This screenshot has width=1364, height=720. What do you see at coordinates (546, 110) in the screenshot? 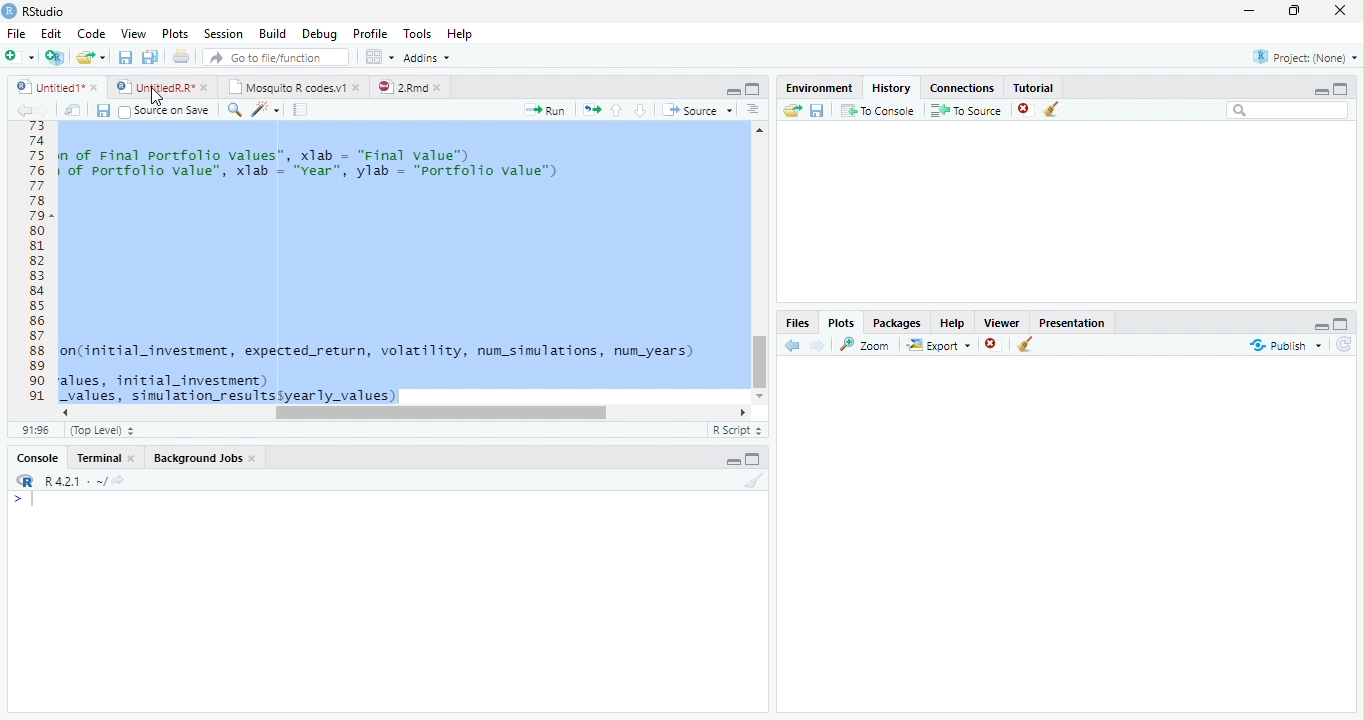
I see `Run` at bounding box center [546, 110].